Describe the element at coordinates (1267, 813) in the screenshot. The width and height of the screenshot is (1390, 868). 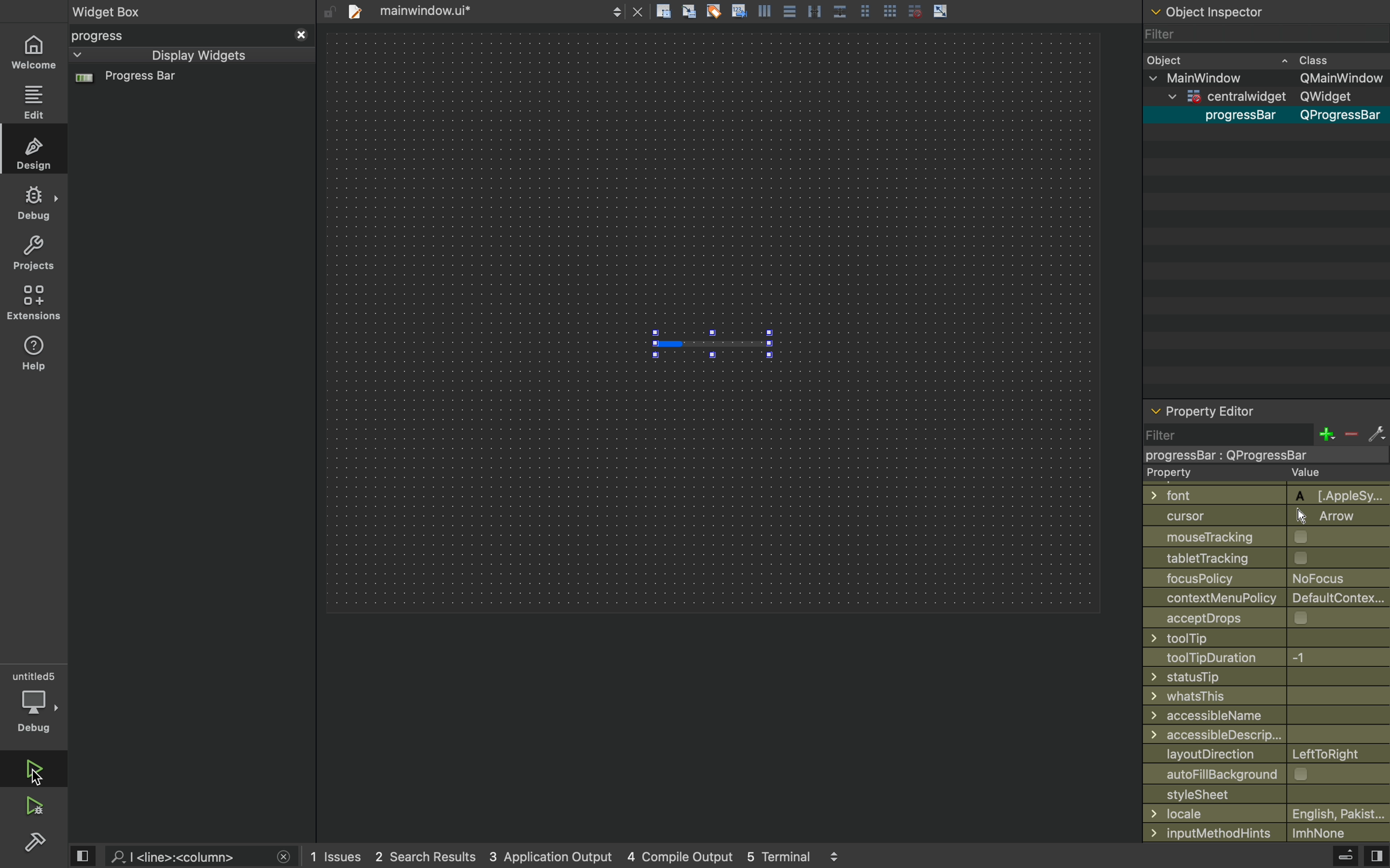
I see `locale` at that location.